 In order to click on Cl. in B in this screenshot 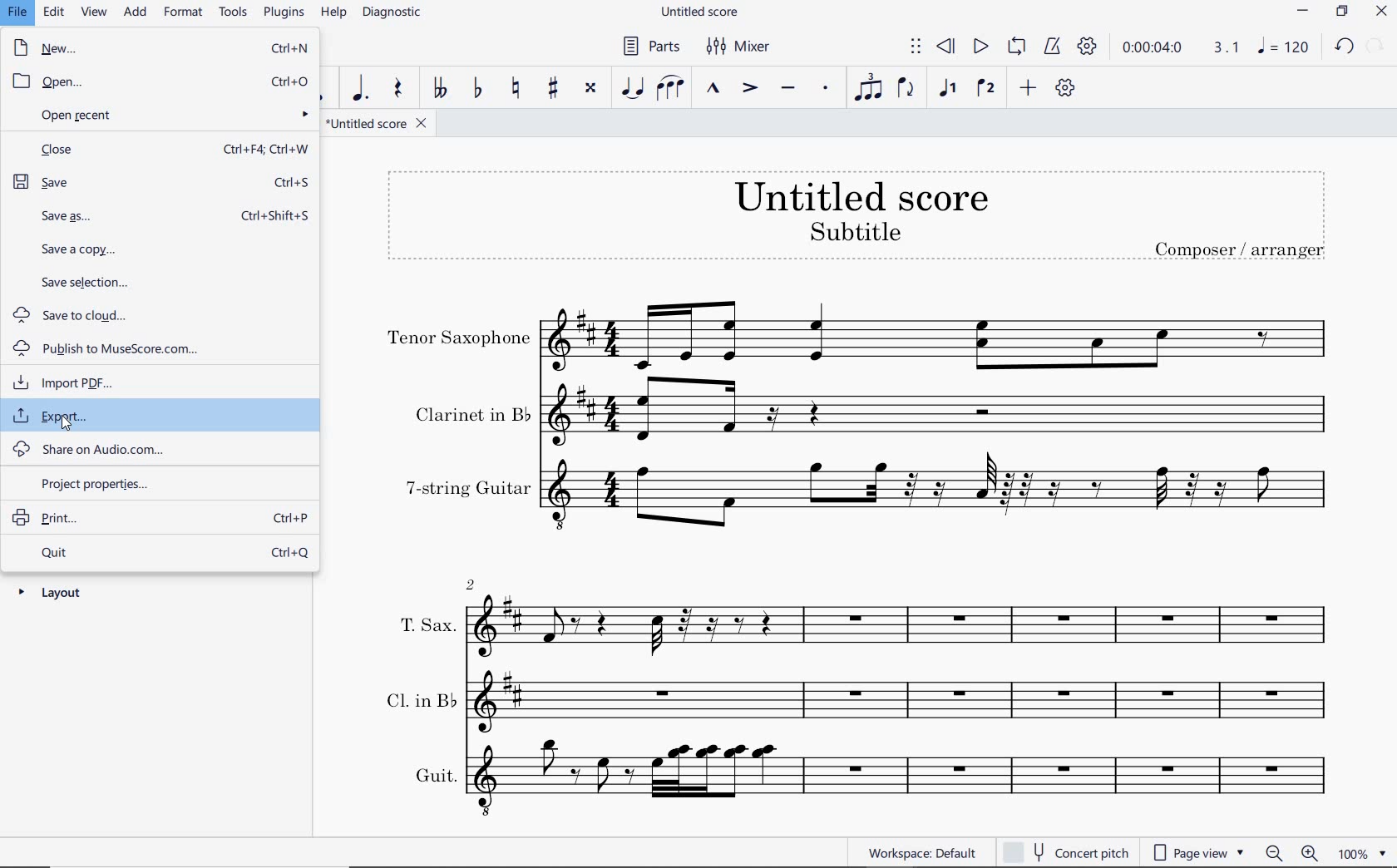, I will do `click(859, 703)`.